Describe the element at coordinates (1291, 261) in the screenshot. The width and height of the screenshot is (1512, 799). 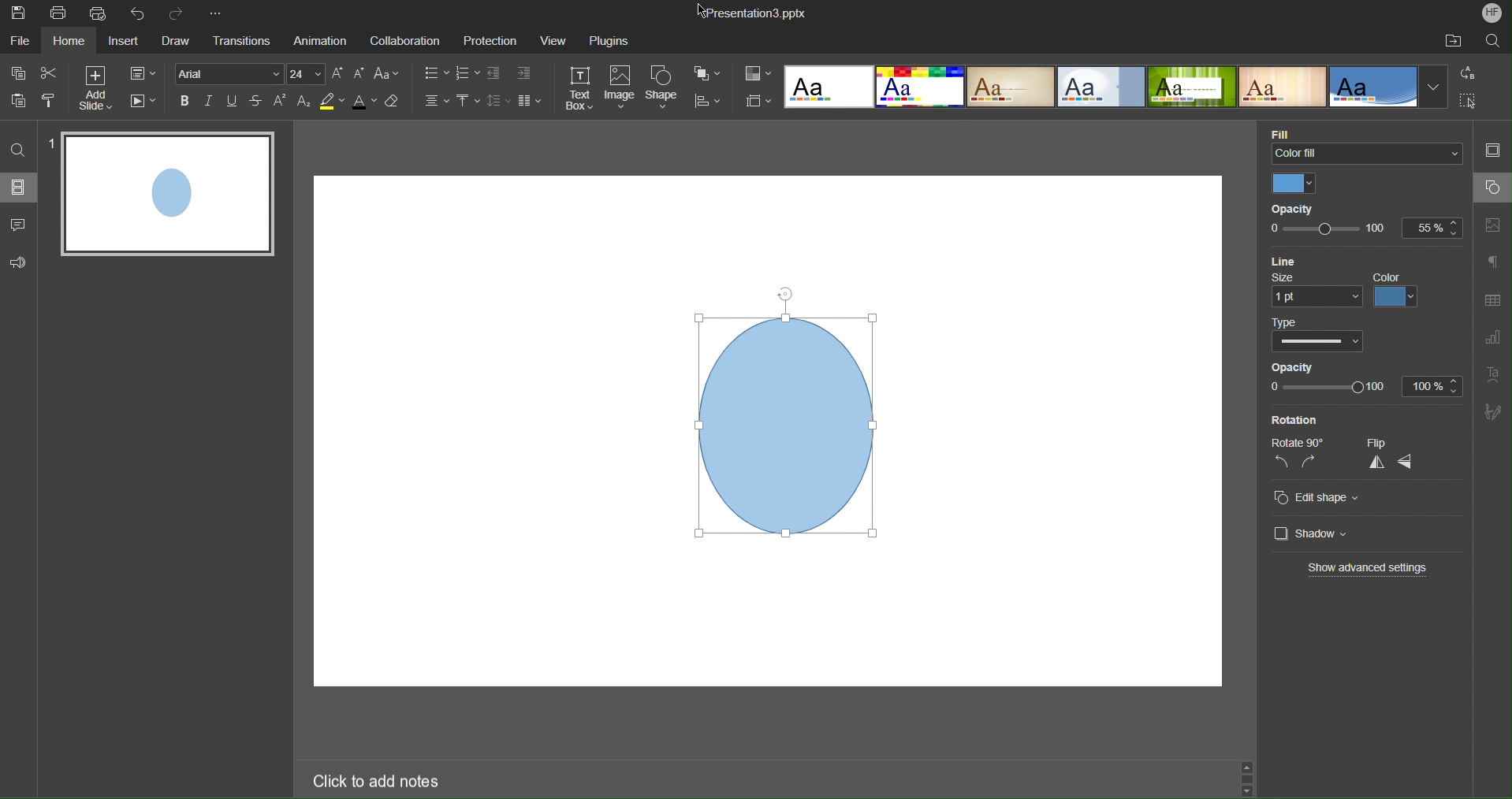
I see `Line` at that location.